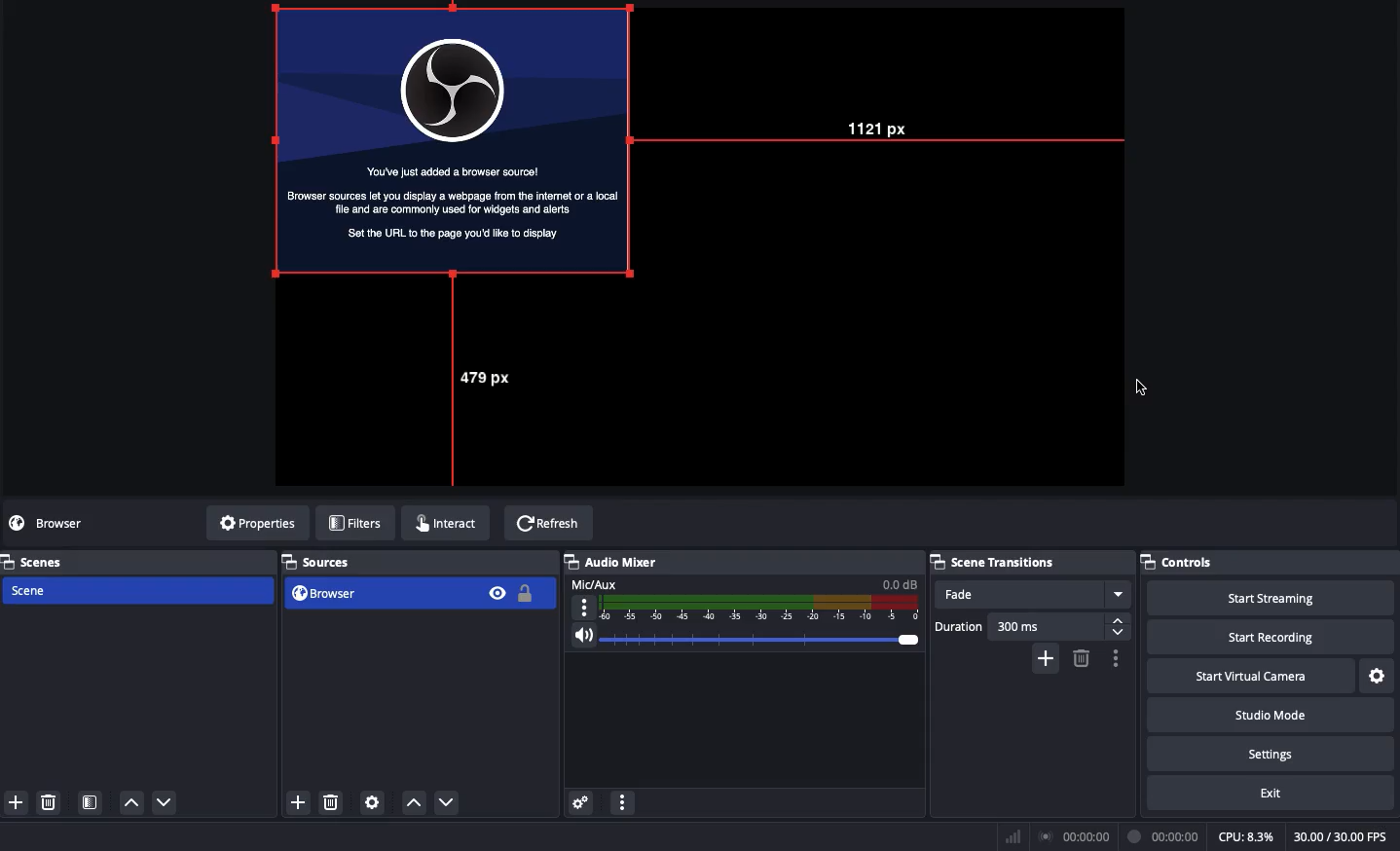 This screenshot has width=1400, height=851. I want to click on CPU, so click(1248, 836).